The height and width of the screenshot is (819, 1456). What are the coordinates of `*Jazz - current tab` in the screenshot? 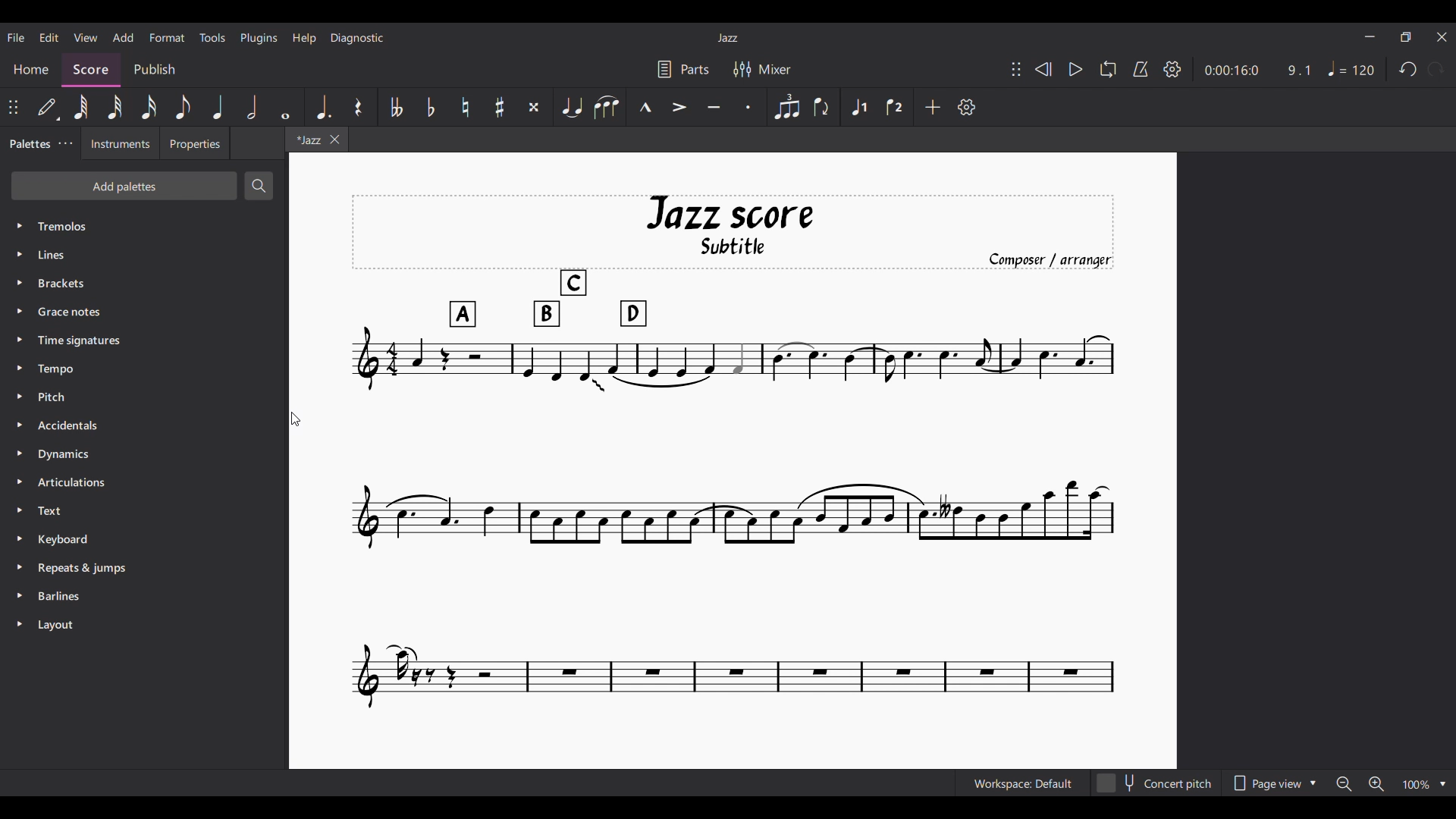 It's located at (306, 139).